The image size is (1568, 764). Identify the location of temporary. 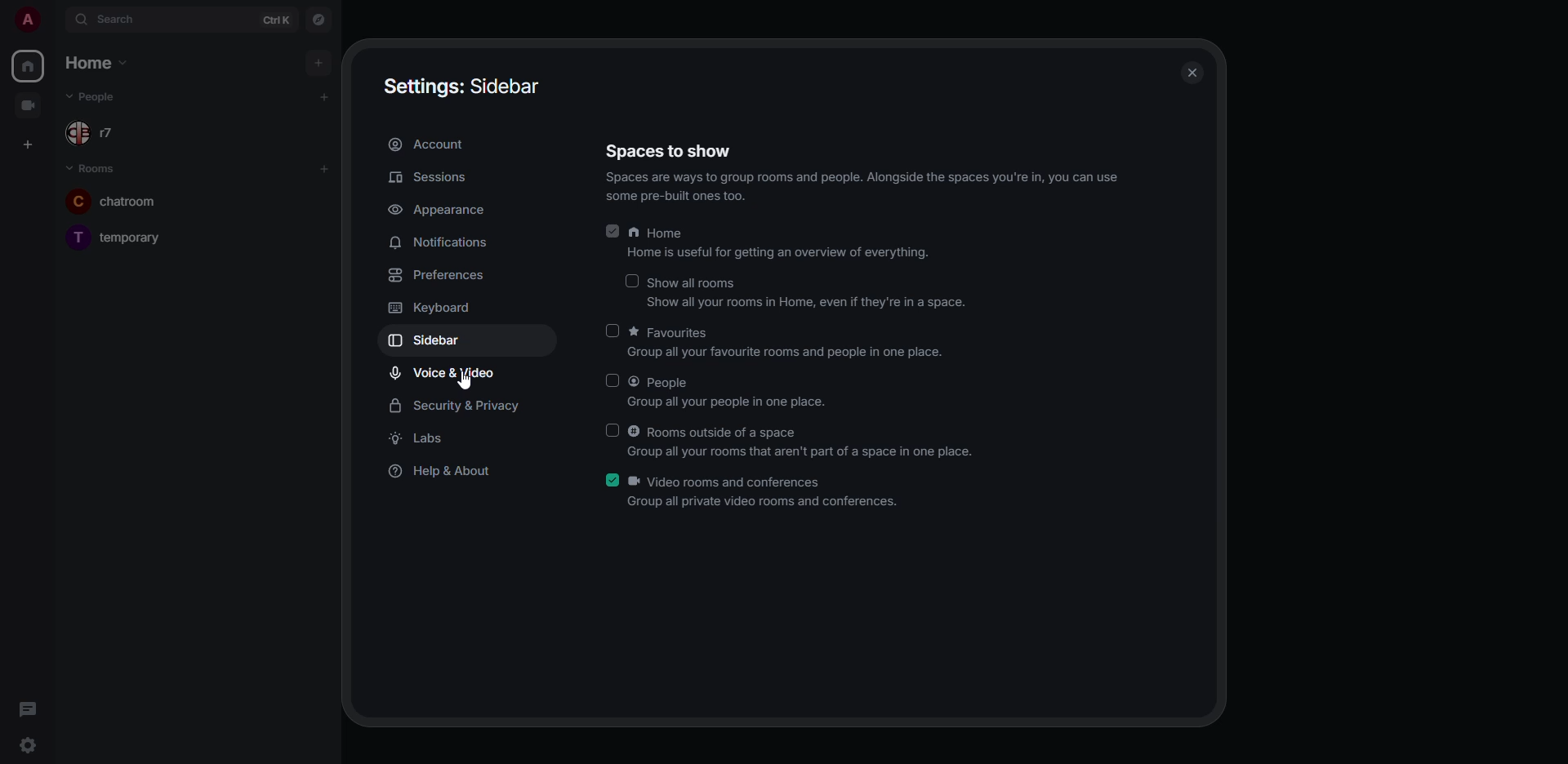
(119, 236).